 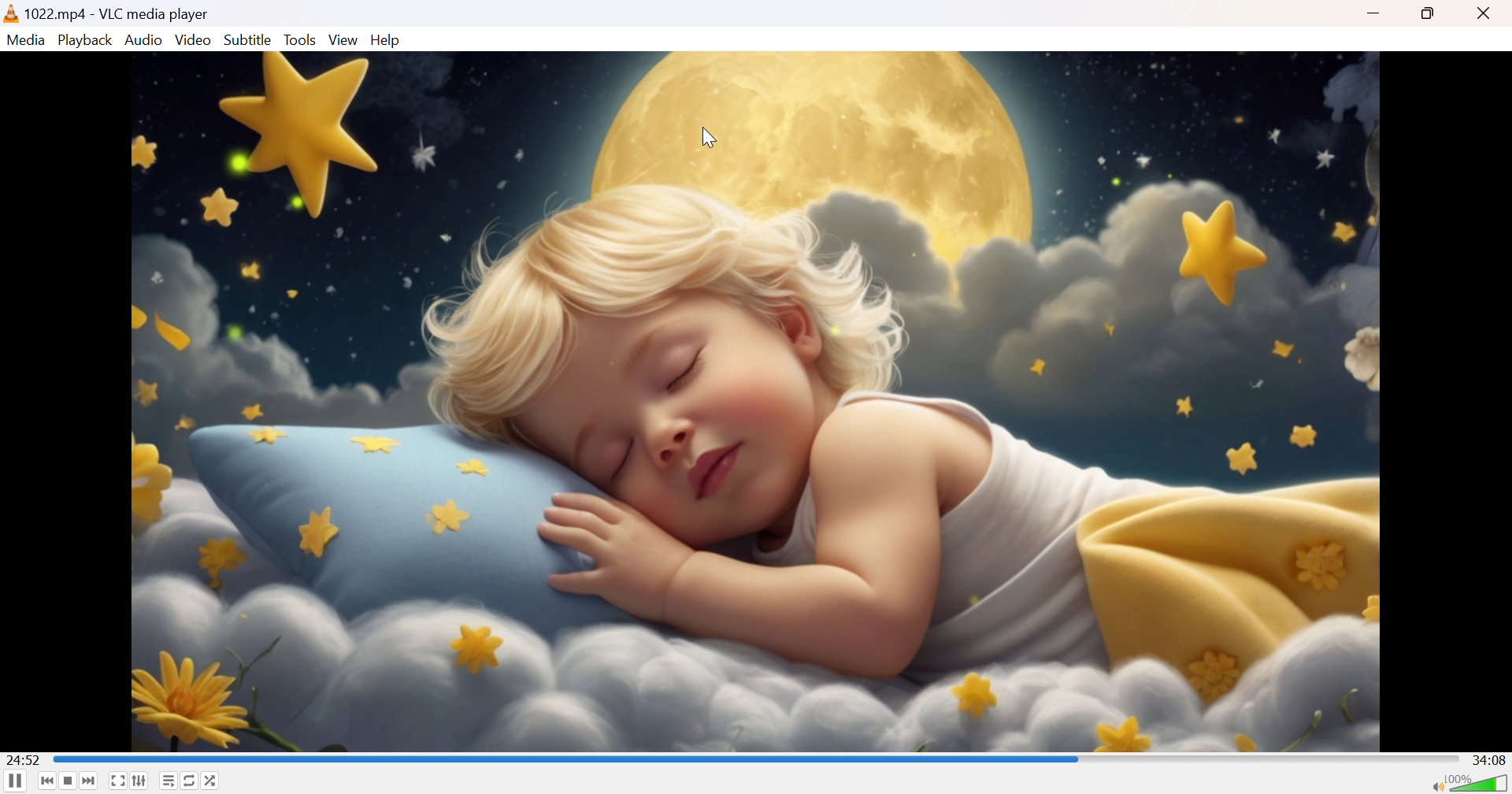 I want to click on Media, so click(x=25, y=39).